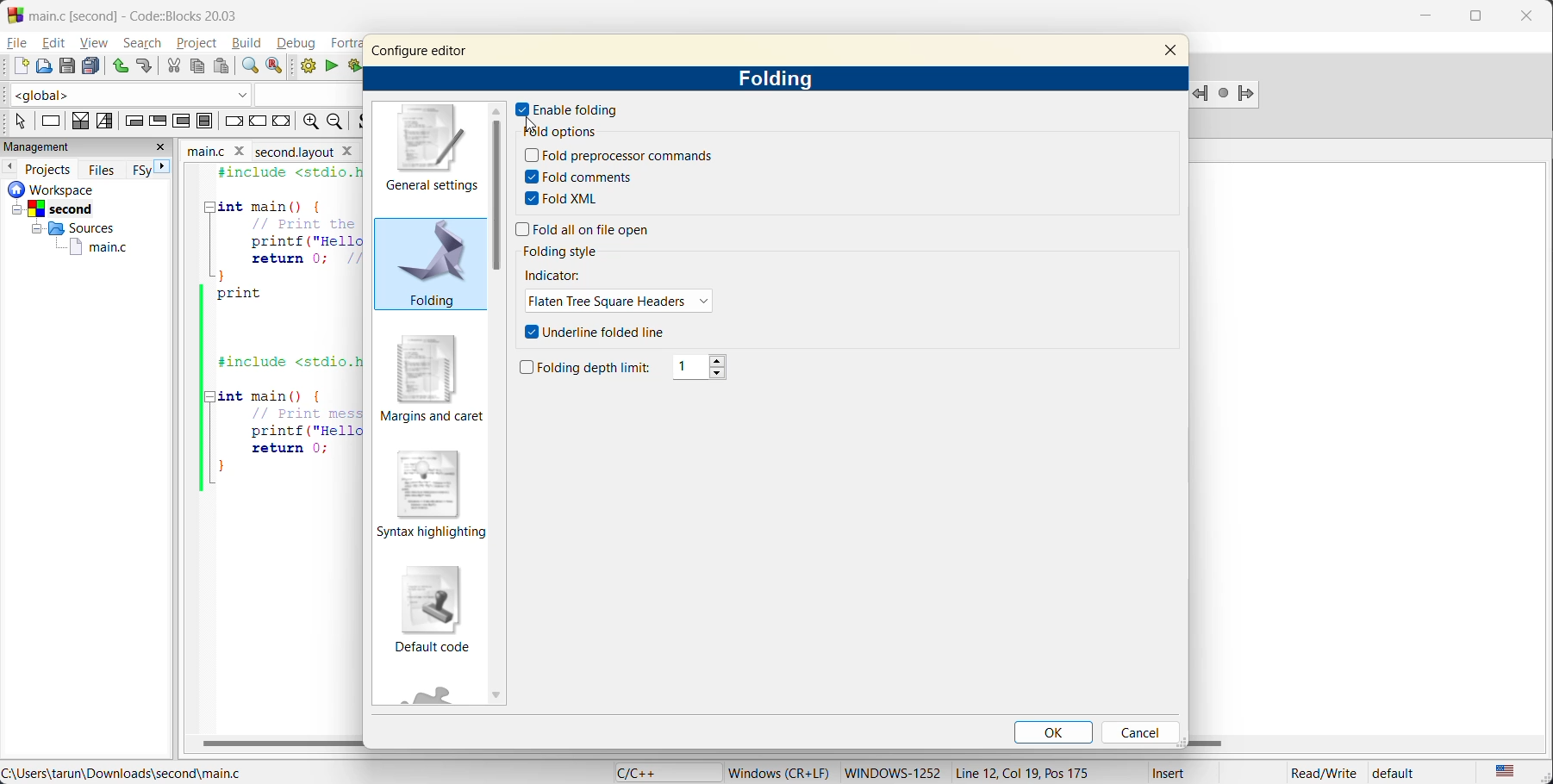  What do you see at coordinates (260, 122) in the screenshot?
I see `continue instruction` at bounding box center [260, 122].